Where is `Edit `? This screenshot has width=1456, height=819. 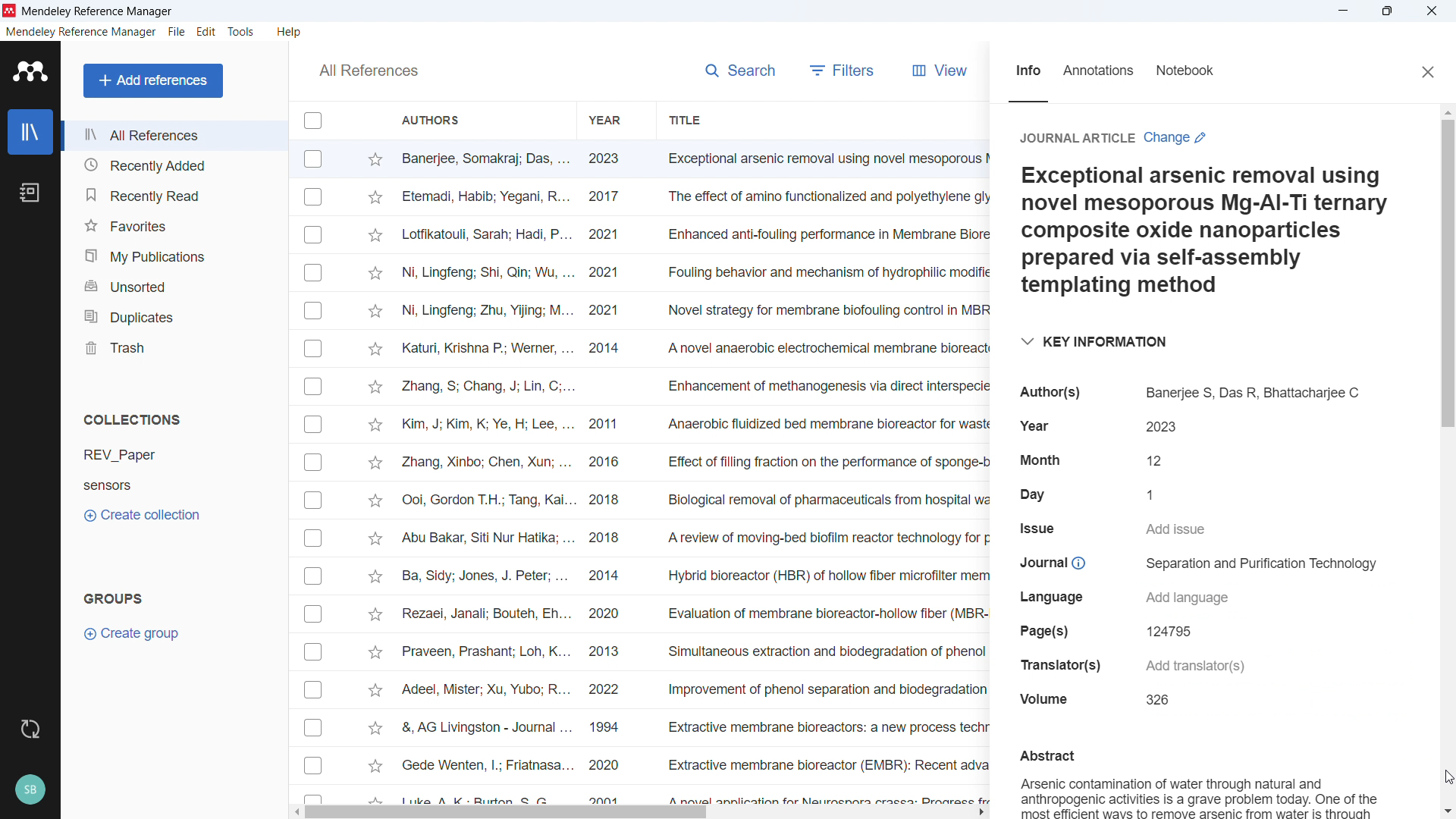 Edit  is located at coordinates (207, 32).